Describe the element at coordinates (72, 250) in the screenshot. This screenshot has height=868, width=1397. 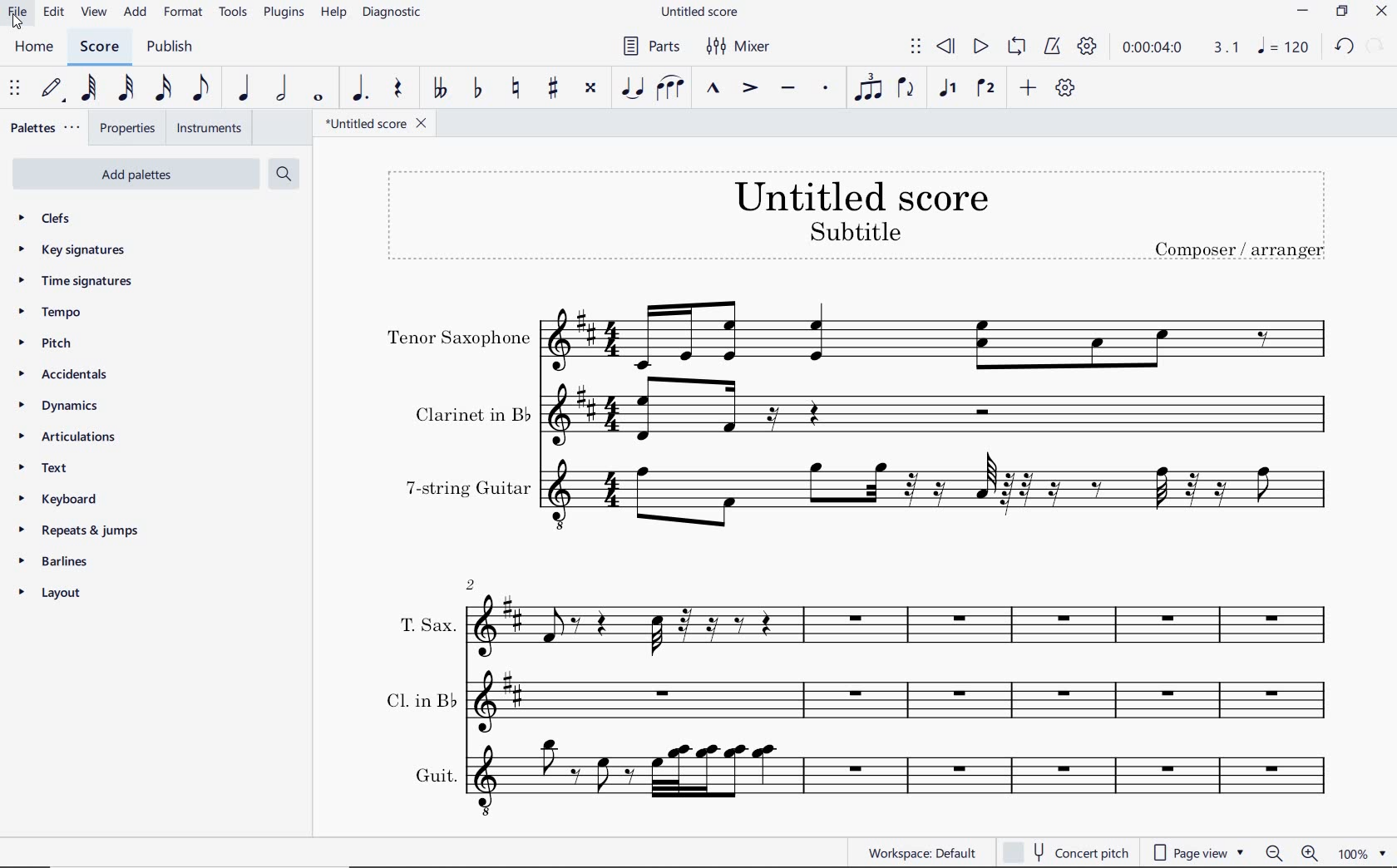
I see `key signatures` at that location.